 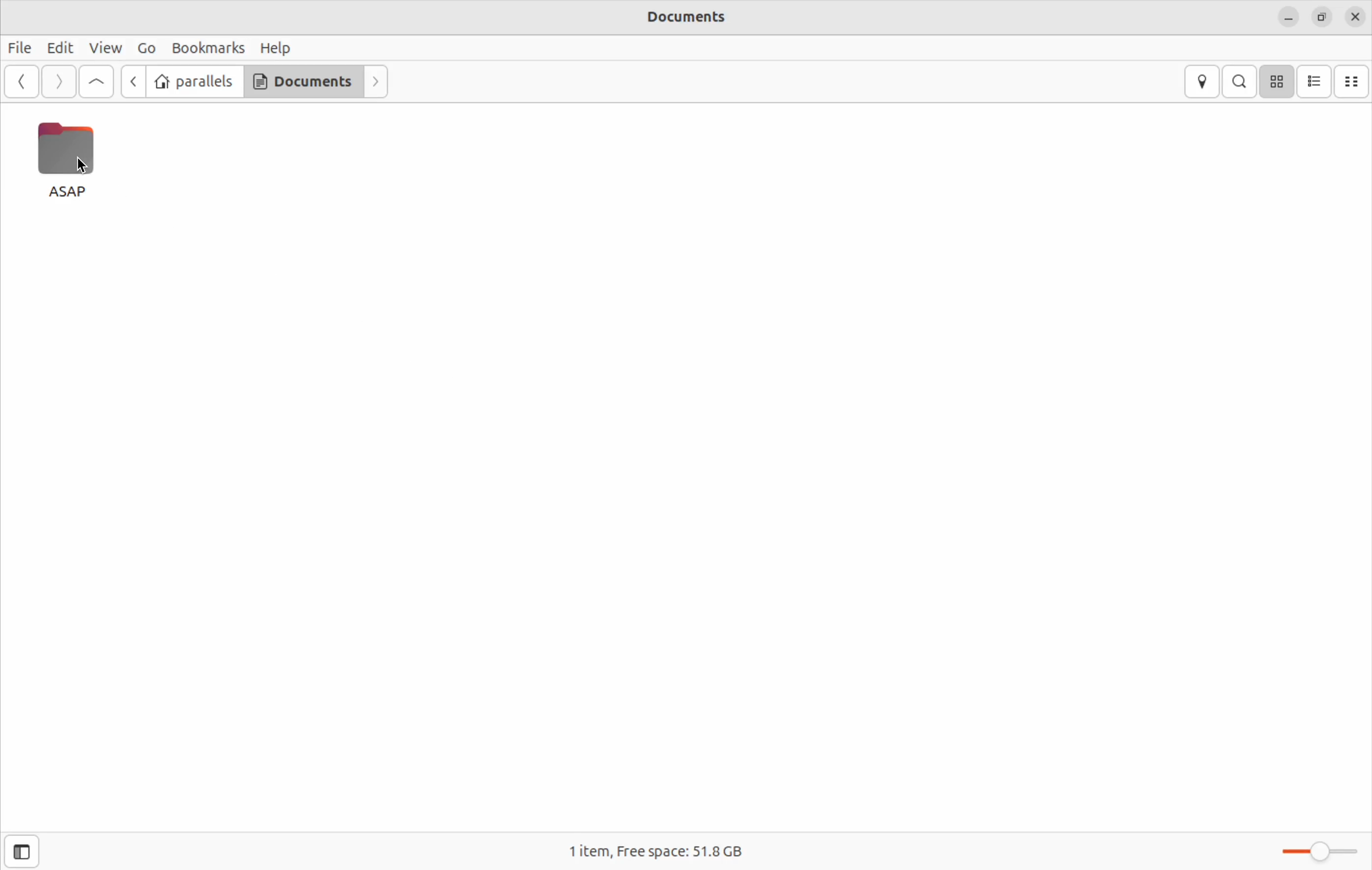 What do you see at coordinates (107, 49) in the screenshot?
I see `View` at bounding box center [107, 49].